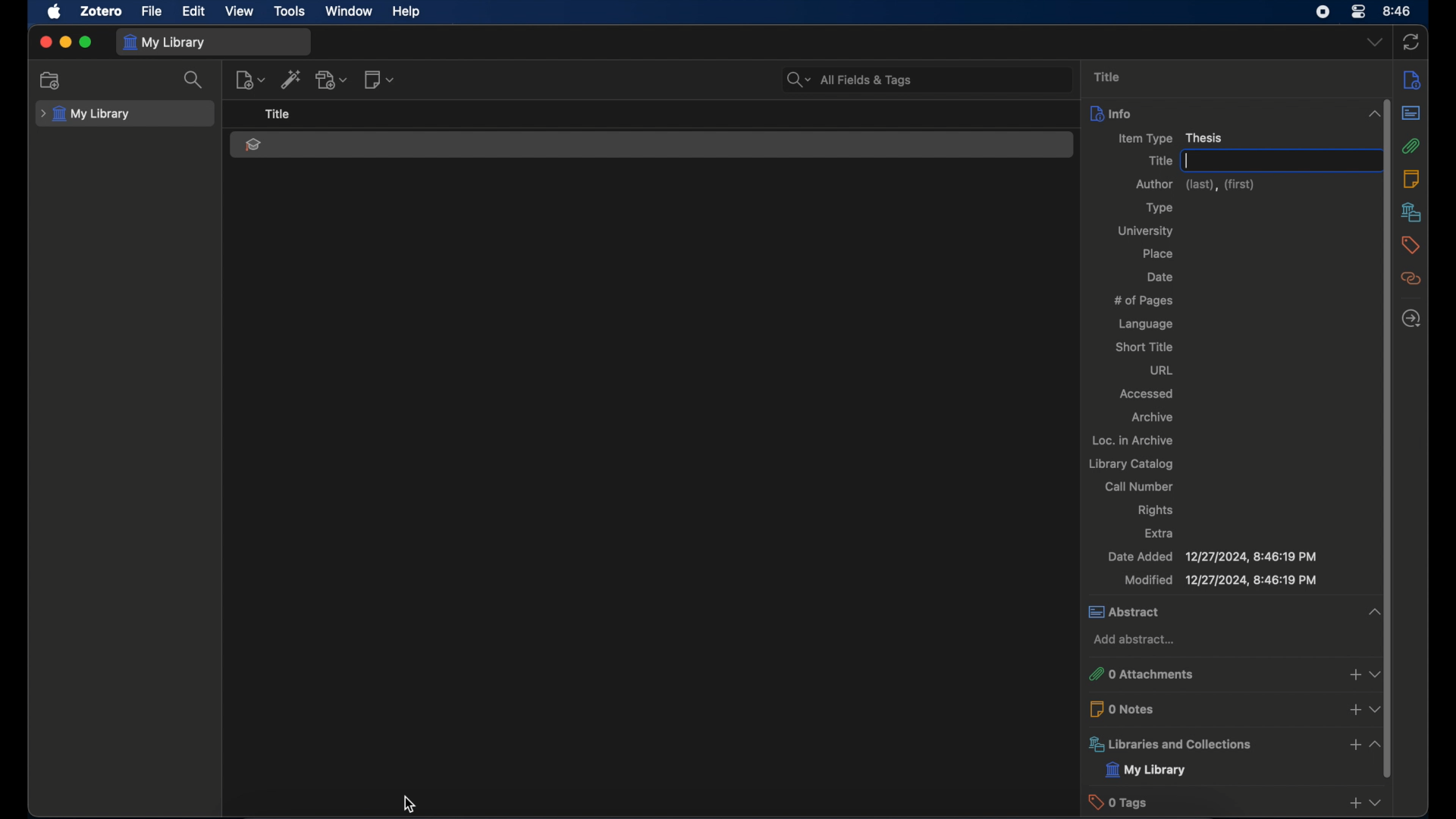  What do you see at coordinates (1212, 557) in the screenshot?
I see `date added` at bounding box center [1212, 557].